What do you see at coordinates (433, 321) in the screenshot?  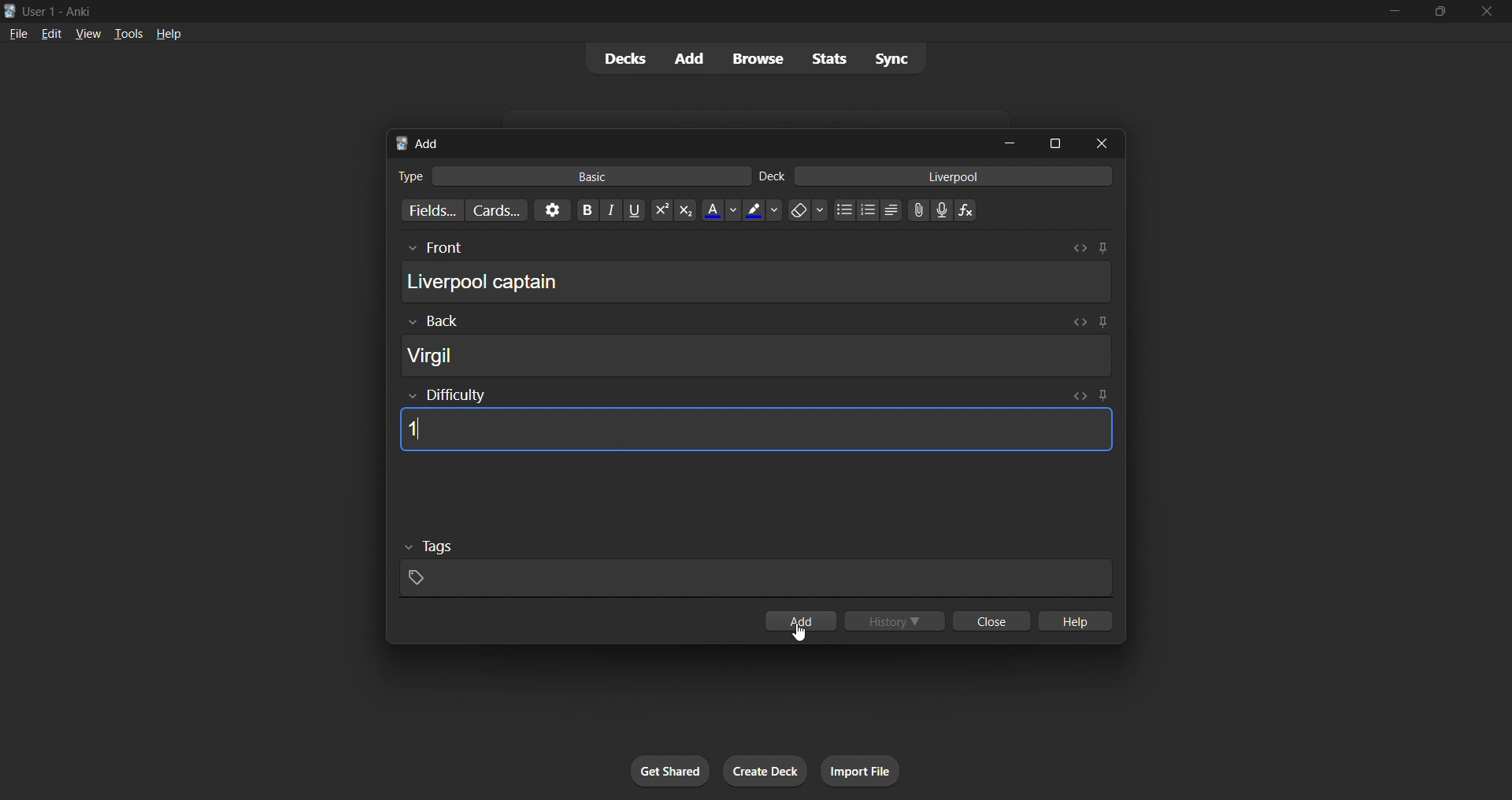 I see `` at bounding box center [433, 321].